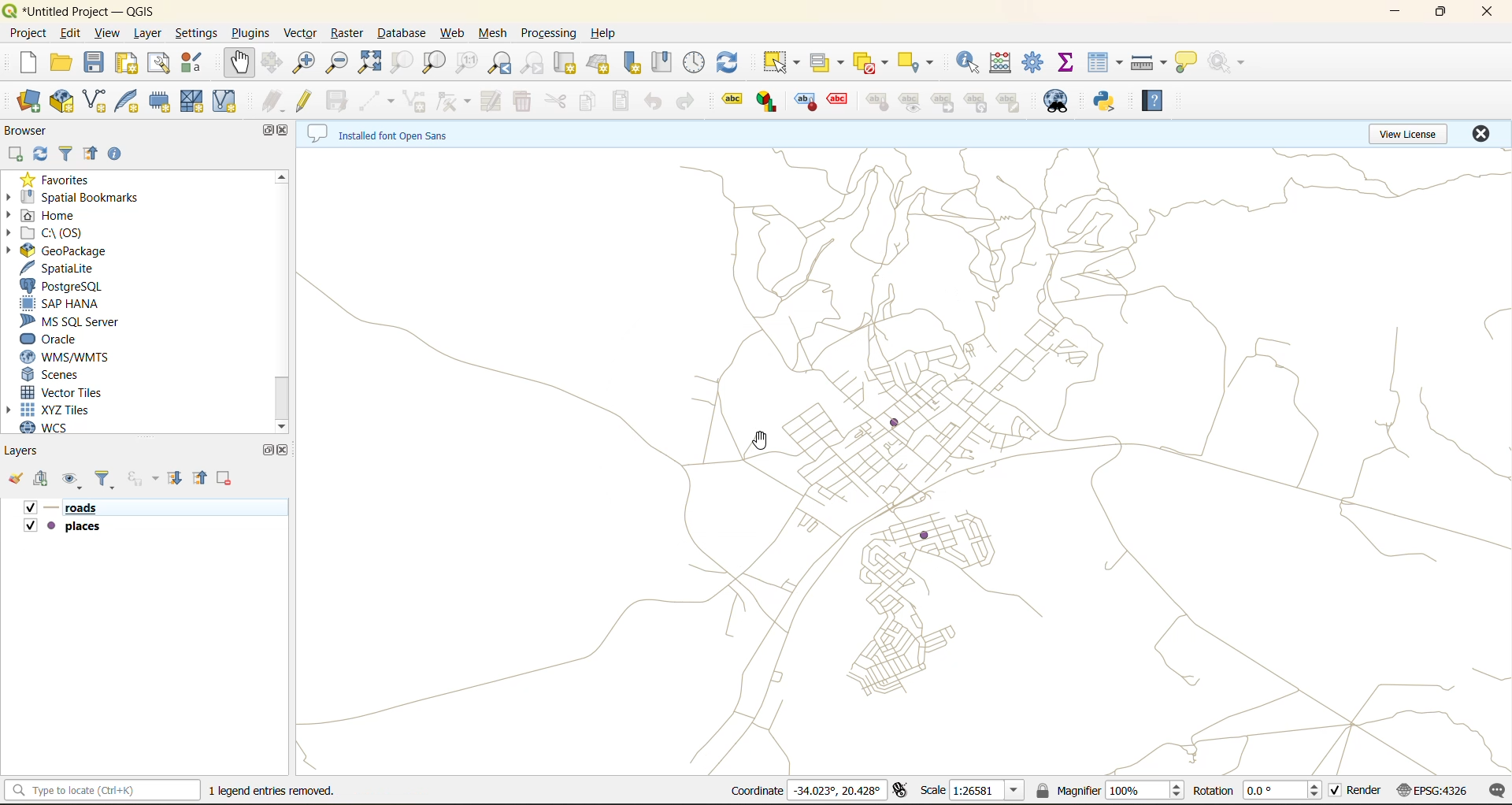  Describe the element at coordinates (66, 253) in the screenshot. I see `geopackage` at that location.